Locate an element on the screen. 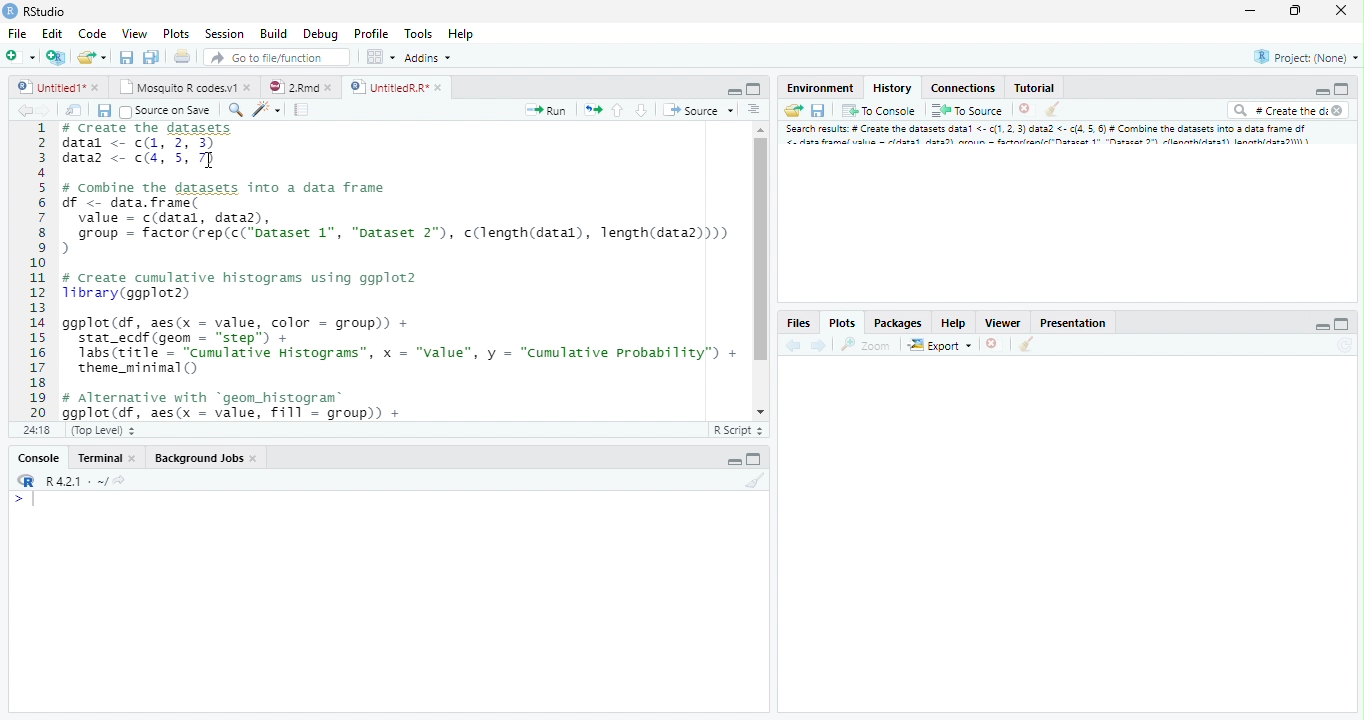 The height and width of the screenshot is (720, 1364). # Combine the dataset into a data frame f <- data.frame(value = c(datal, data),group = factor (rep(c("Dataset 1", "Dataset 2"), c(length(datal), length(data2))))create cumulative histograms using ggplot2brary (ggplot2)gplot(df, aes(x = value, color = group)) +stat_ecdf (geom = “step”) +Tabs(ritle = “cumulative Histograms”, x = "value", y = “Cumulative Probability”) +theme_mininal ()Alternative with “geom_histogram®gplot(df, aes(x = value, Fill = group)) +geon_histogram(aes(y = cumsum(.. count. .)/sun(. .count..)),position = "identity", alpha = 0.5, bins = 30) +1abs(title = “Cumulative Histograms”, x = "value", y = “Cumulative Probability”) + is located at coordinates (402, 271).